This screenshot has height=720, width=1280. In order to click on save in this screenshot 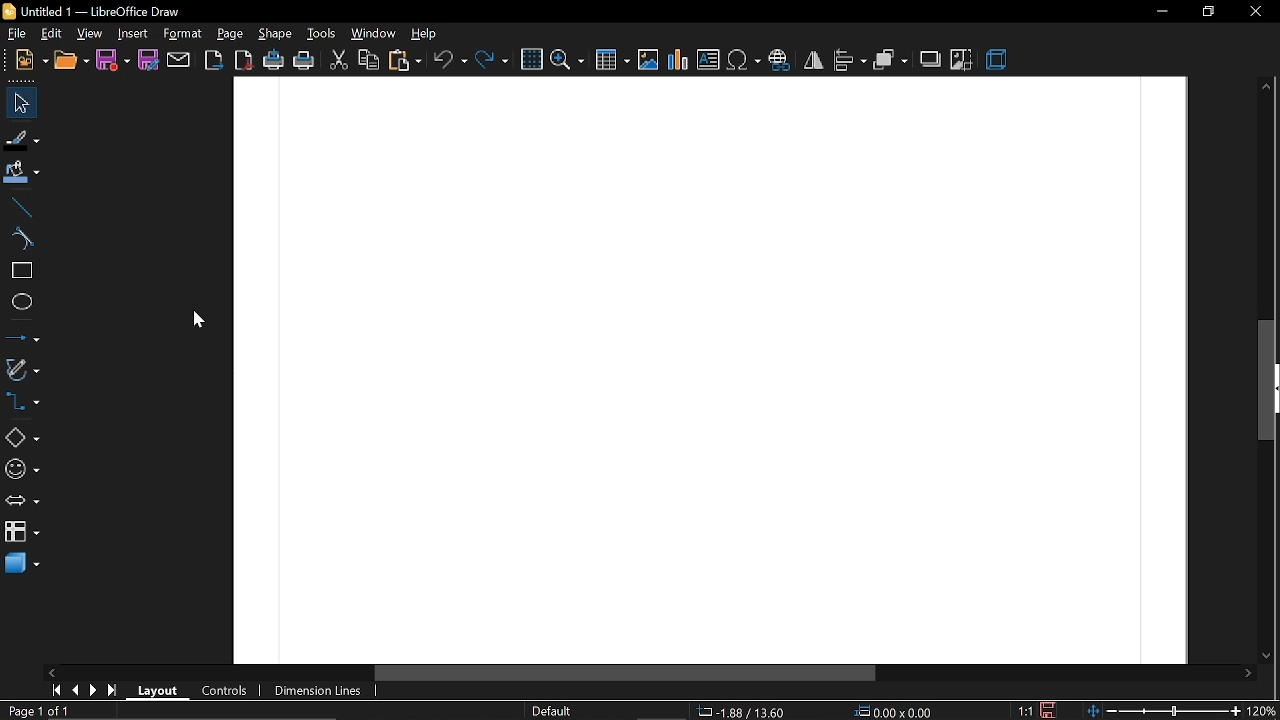, I will do `click(1049, 710)`.